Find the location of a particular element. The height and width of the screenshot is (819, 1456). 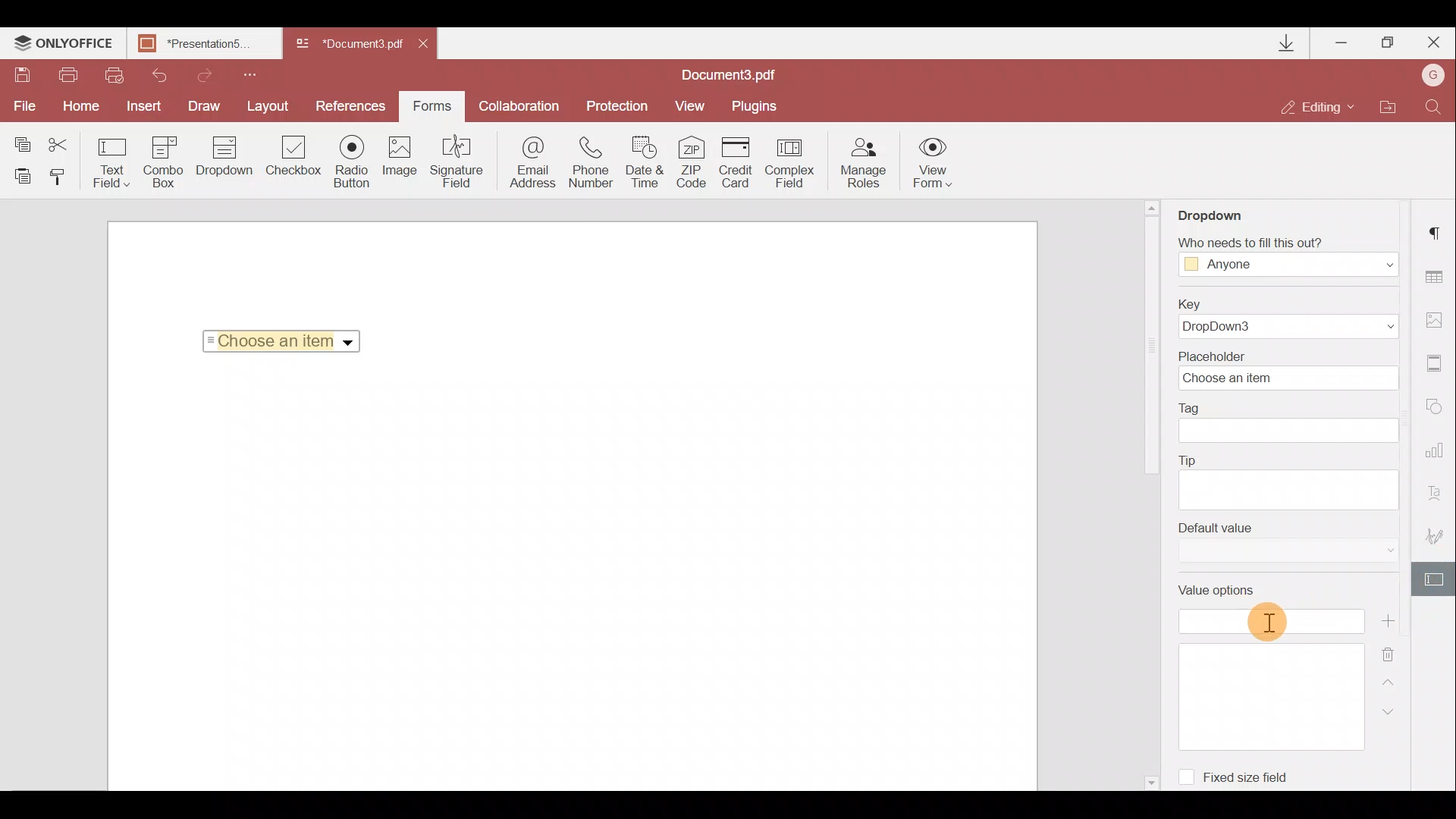

Minimize is located at coordinates (1339, 42).